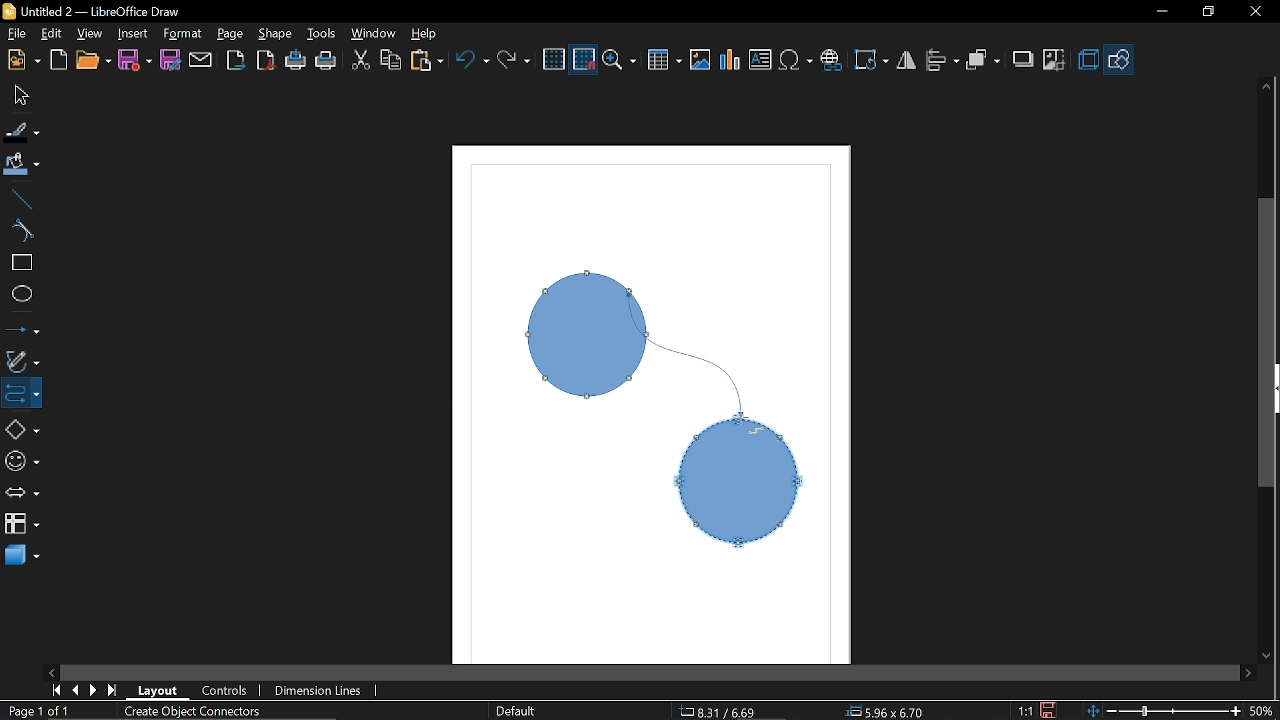 The image size is (1280, 720). I want to click on Control, so click(230, 691).